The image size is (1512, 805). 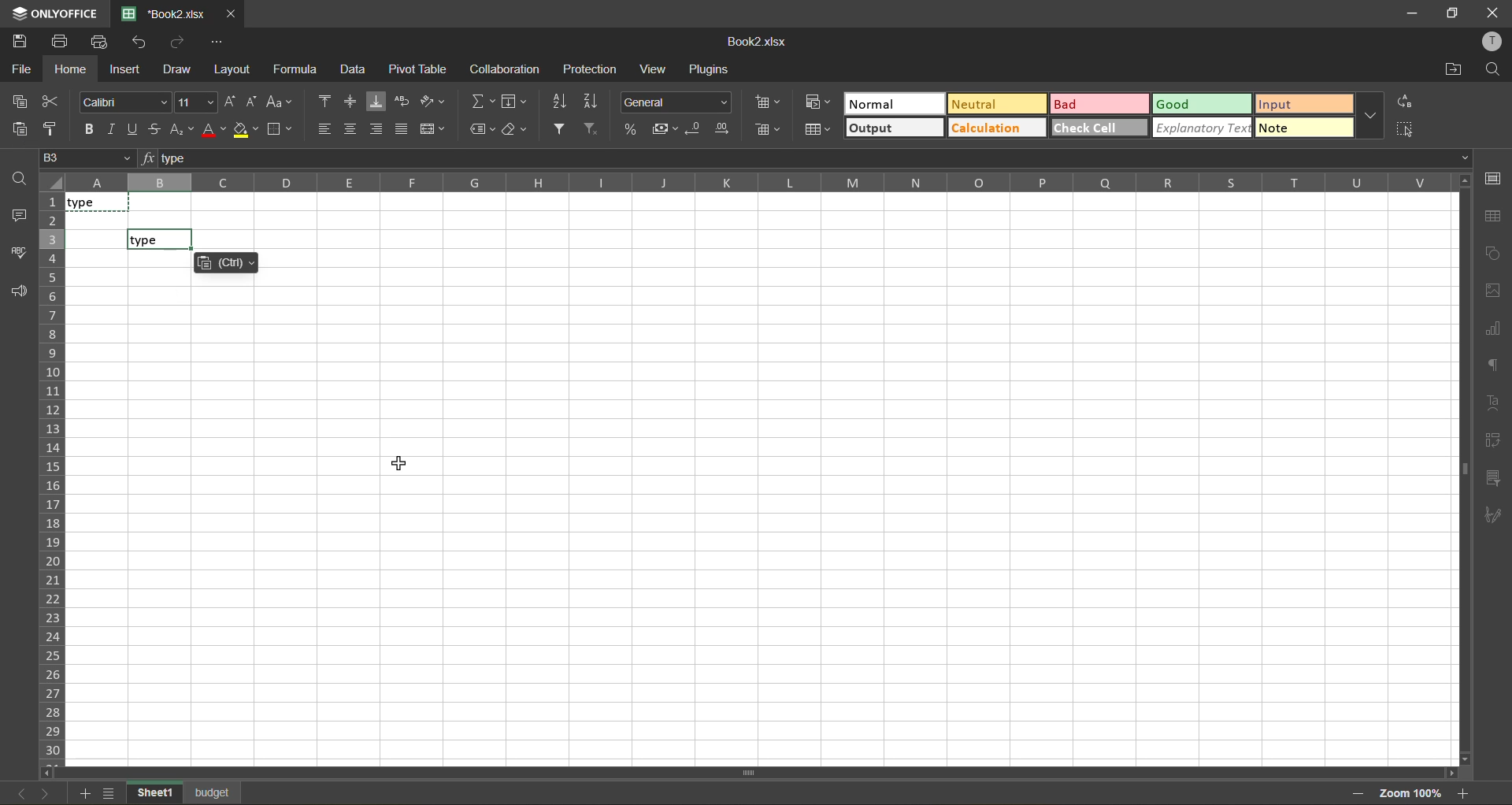 What do you see at coordinates (214, 130) in the screenshot?
I see `font color` at bounding box center [214, 130].